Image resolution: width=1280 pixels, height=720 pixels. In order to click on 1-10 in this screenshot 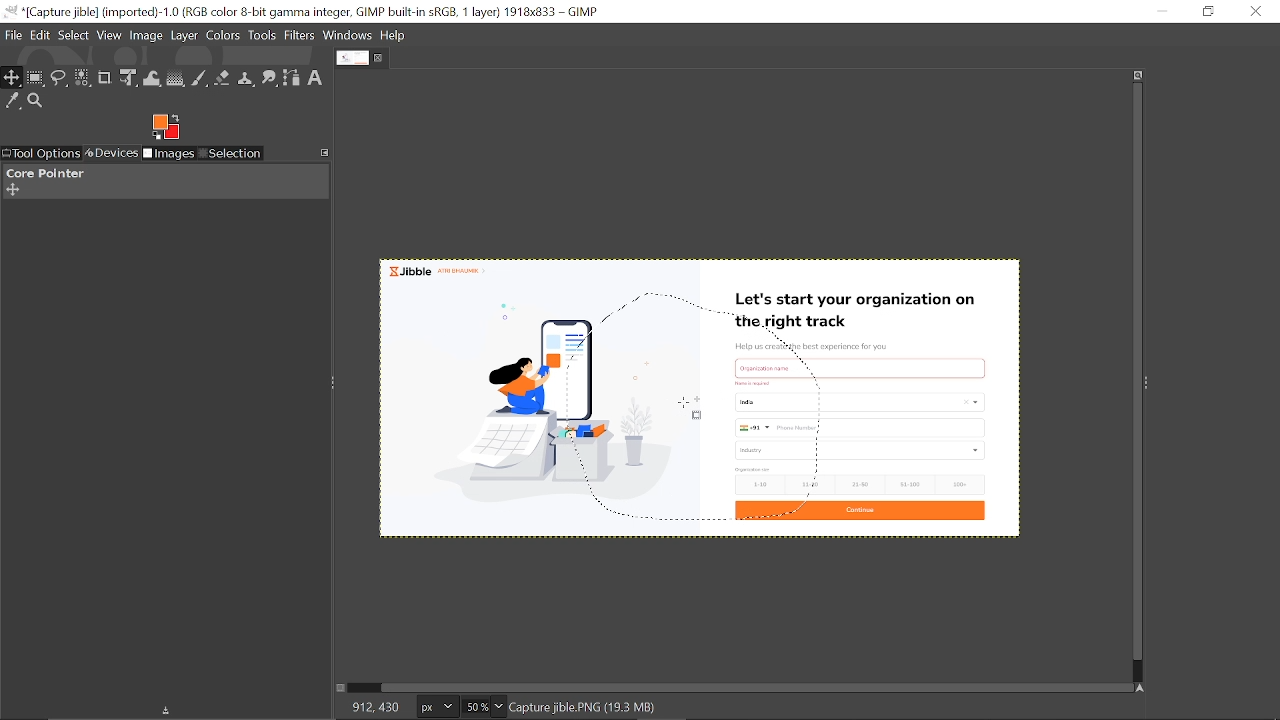, I will do `click(754, 484)`.